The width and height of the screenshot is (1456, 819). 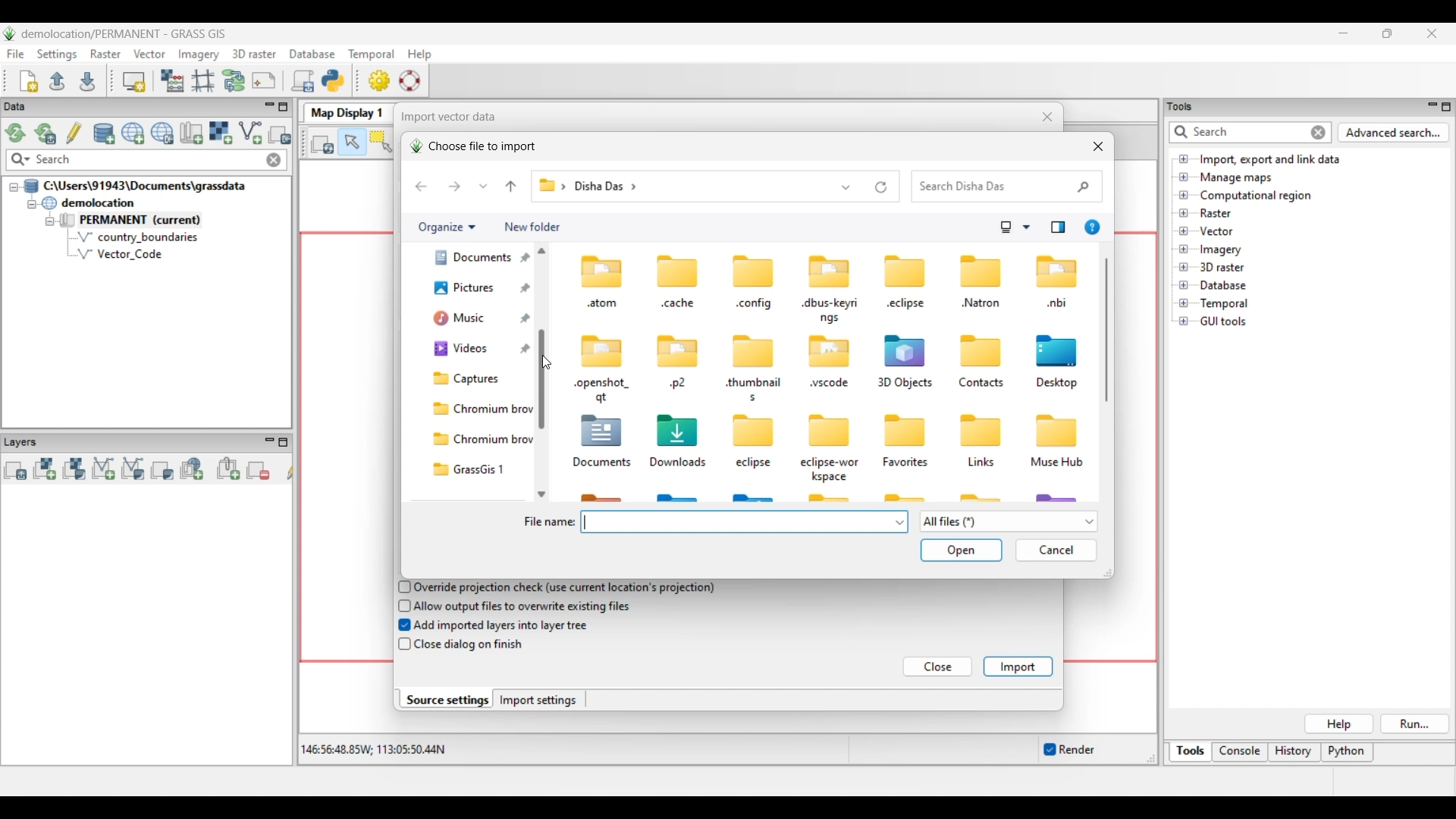 What do you see at coordinates (419, 54) in the screenshot?
I see `Help menu` at bounding box center [419, 54].